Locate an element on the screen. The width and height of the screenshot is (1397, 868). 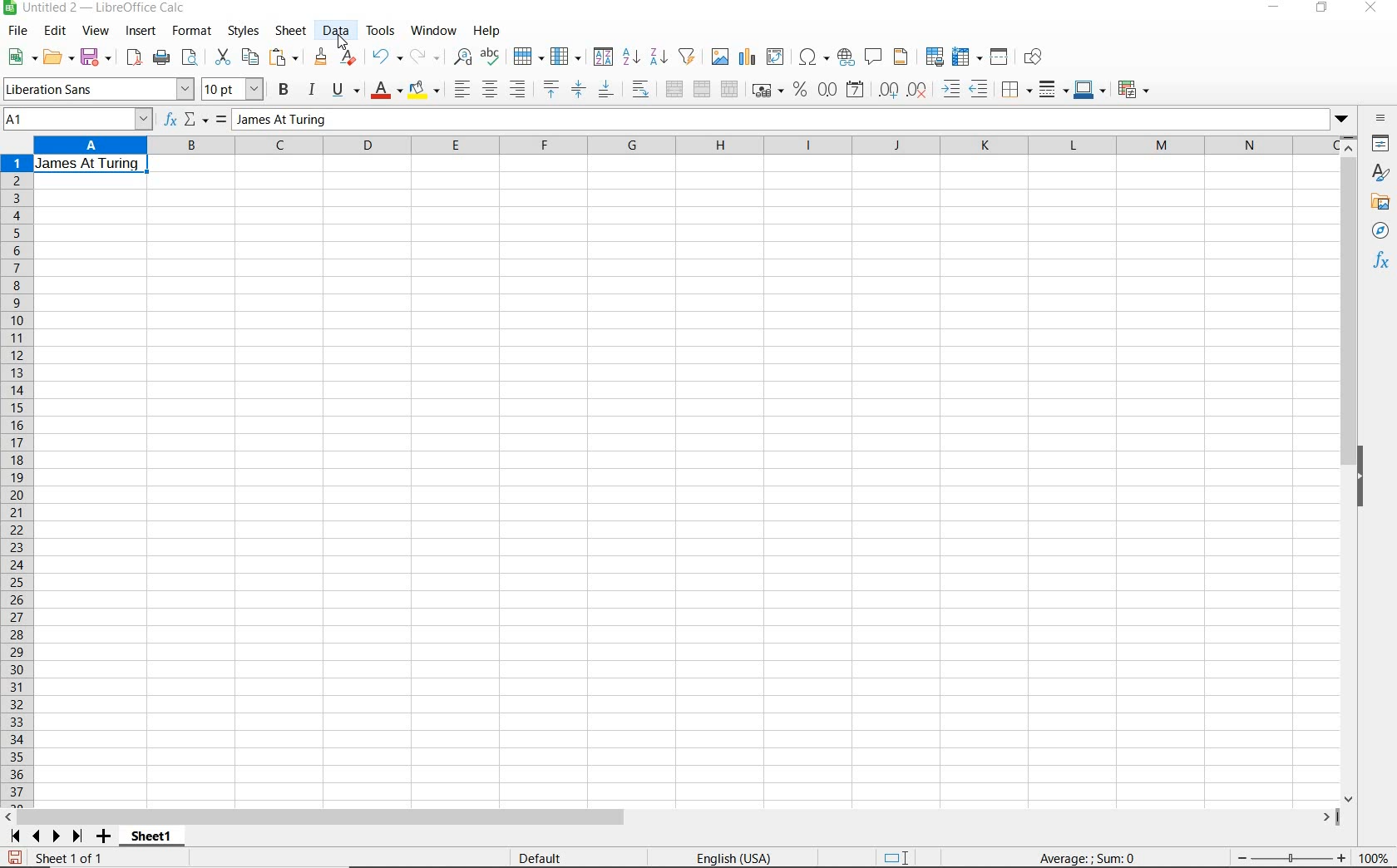
show draw functions is located at coordinates (1038, 59).